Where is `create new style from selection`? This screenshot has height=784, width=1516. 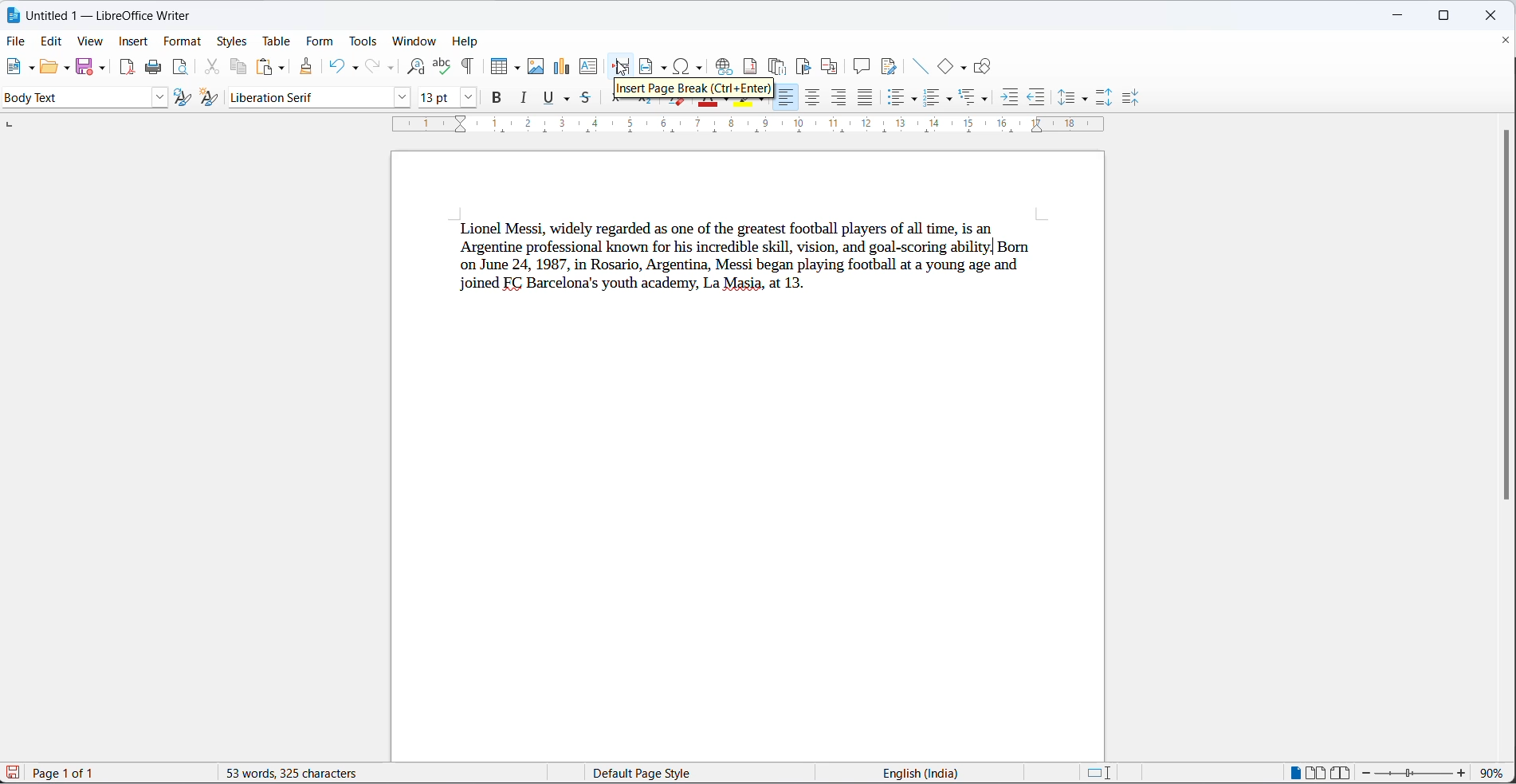 create new style from selection is located at coordinates (211, 98).